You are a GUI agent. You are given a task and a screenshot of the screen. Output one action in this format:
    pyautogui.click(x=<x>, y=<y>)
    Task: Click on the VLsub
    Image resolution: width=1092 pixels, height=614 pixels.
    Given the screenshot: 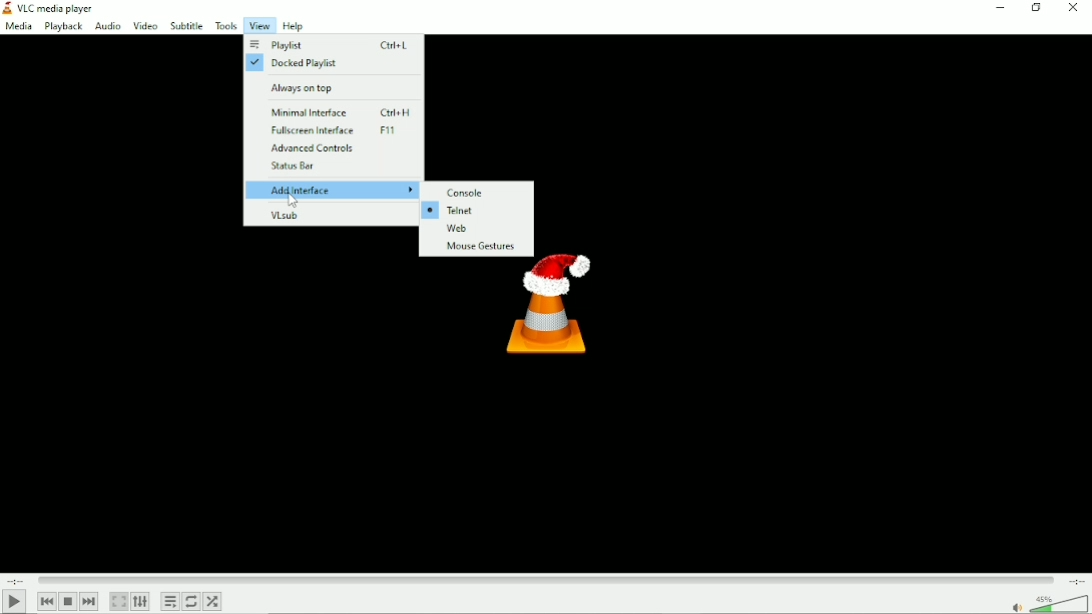 What is the action you would take?
    pyautogui.click(x=285, y=215)
    